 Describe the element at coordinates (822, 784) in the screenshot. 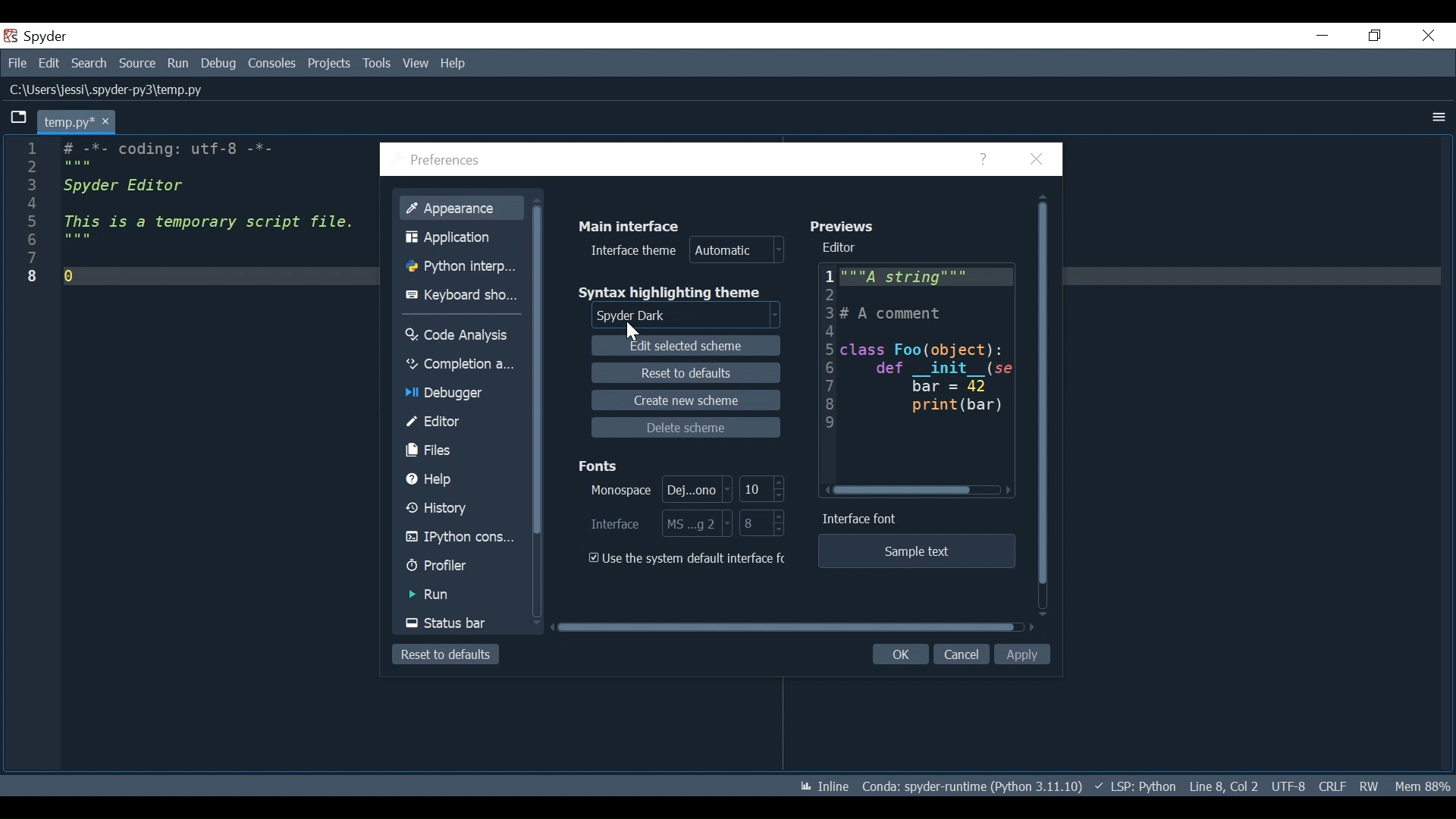

I see `Toggle inline and interactive Matplotlib plotting` at that location.